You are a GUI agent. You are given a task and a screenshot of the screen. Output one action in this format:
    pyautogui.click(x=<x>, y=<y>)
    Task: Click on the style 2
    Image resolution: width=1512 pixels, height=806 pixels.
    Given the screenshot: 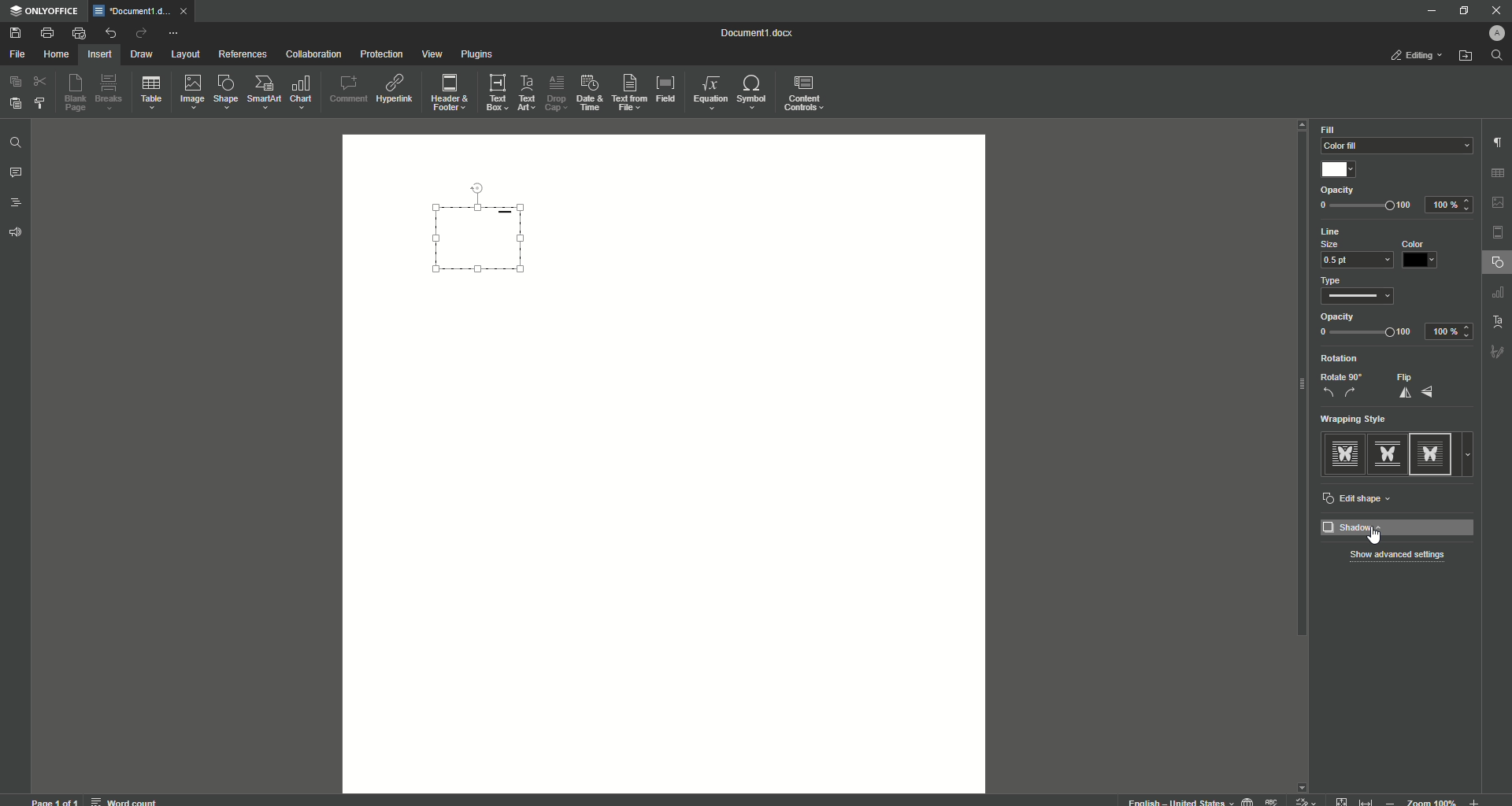 What is the action you would take?
    pyautogui.click(x=1386, y=453)
    